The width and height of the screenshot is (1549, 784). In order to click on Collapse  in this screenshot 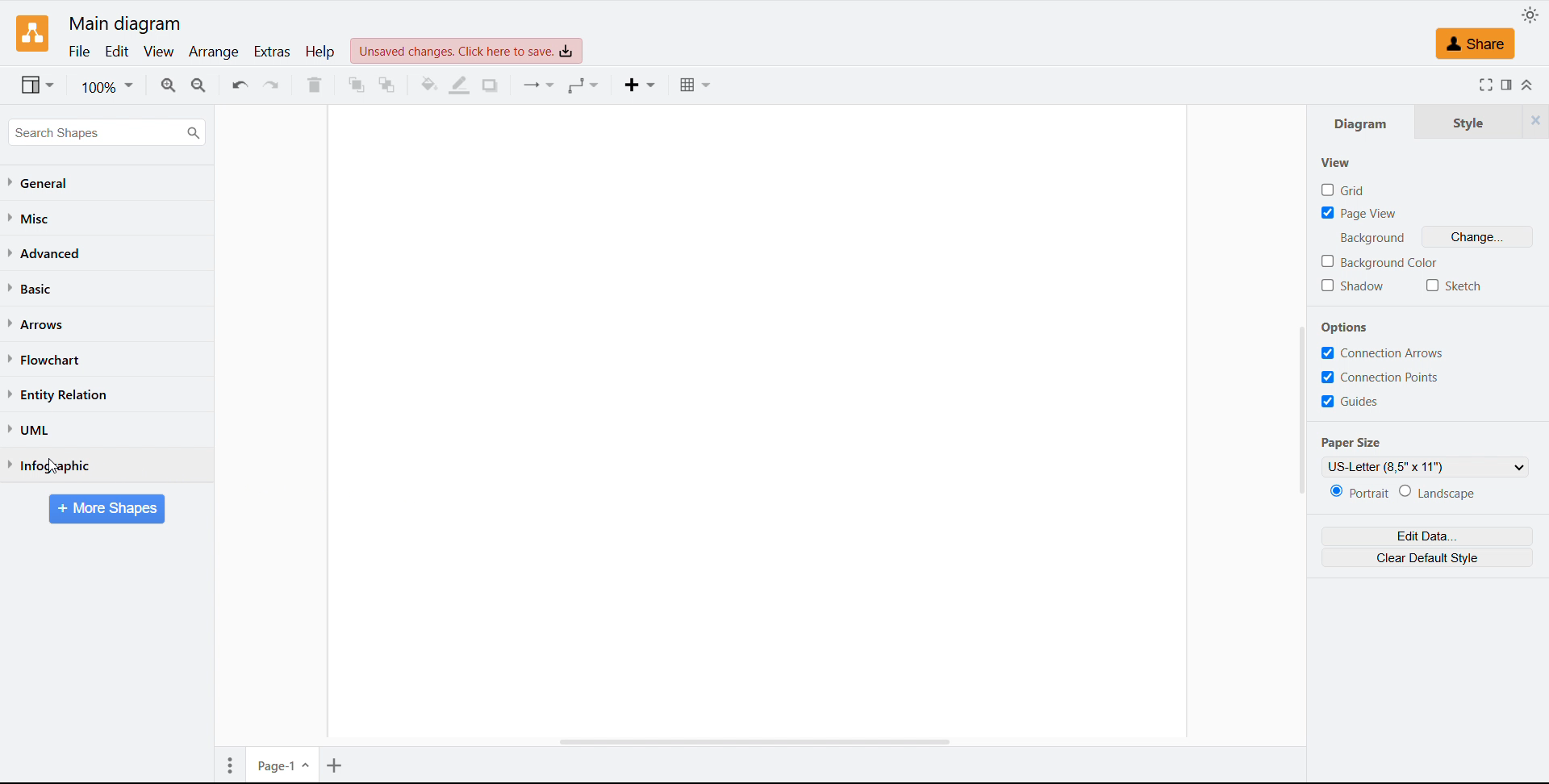, I will do `click(1529, 85)`.